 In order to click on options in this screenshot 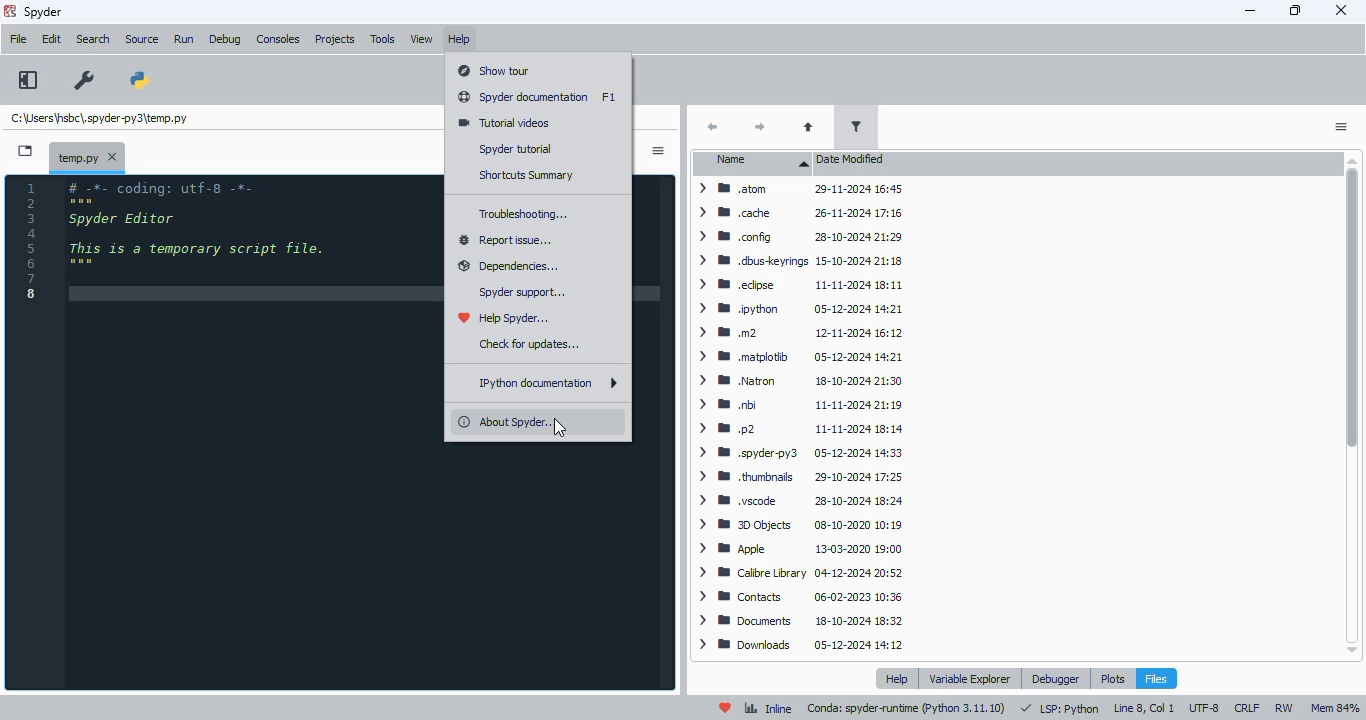, I will do `click(659, 152)`.